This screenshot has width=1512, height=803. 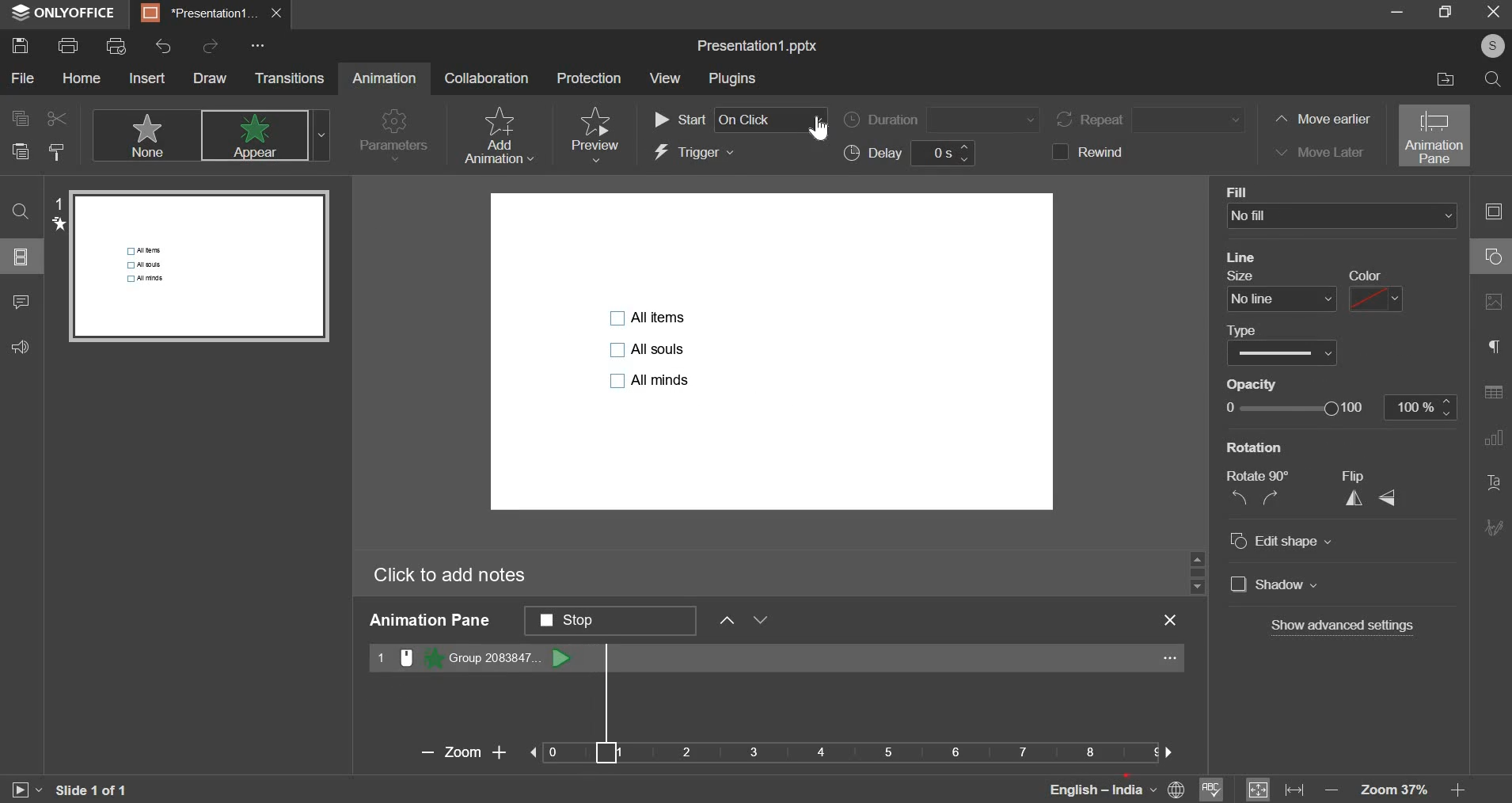 I want to click on line type, so click(x=1281, y=353).